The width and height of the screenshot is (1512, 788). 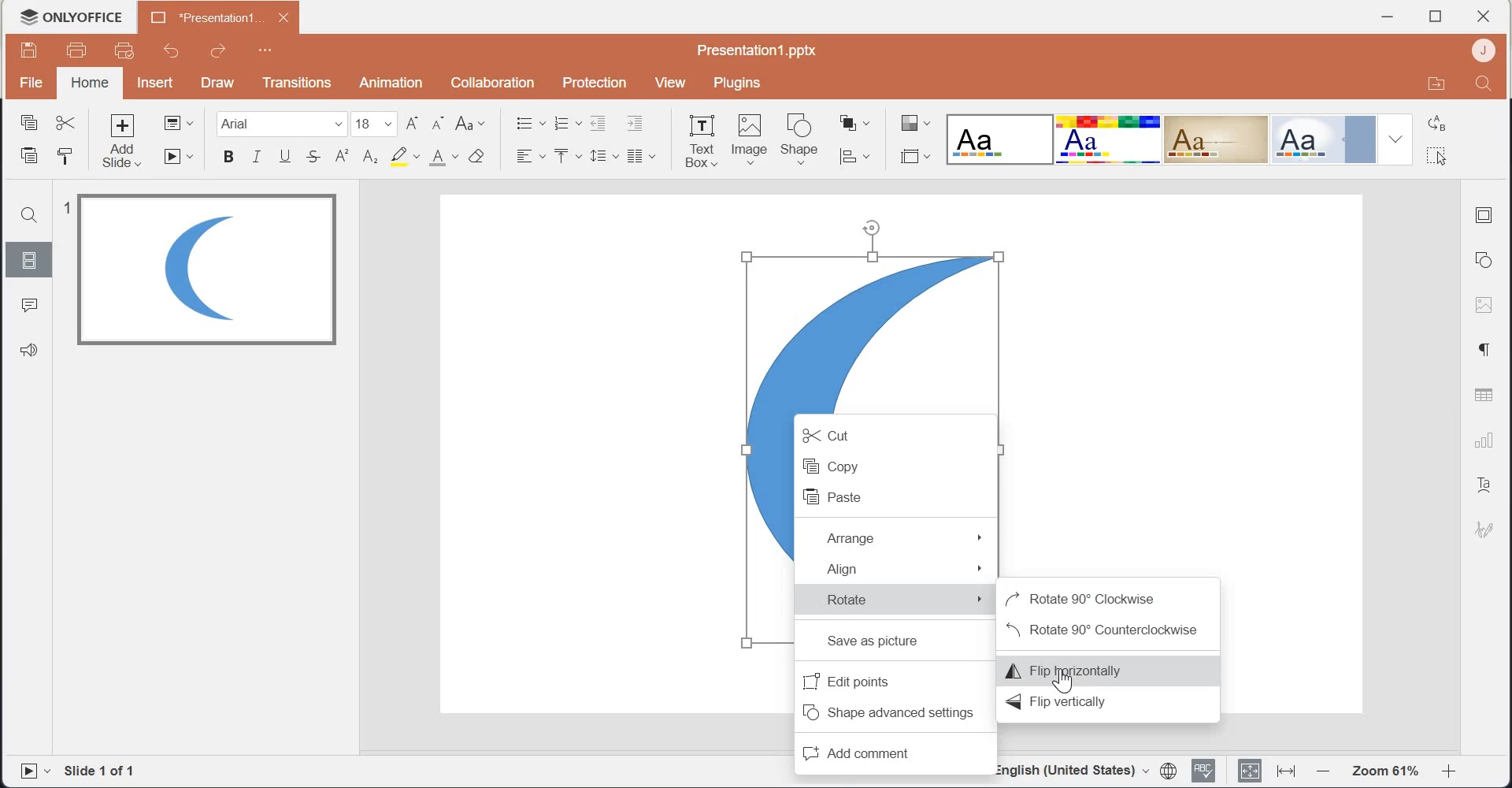 What do you see at coordinates (89, 84) in the screenshot?
I see `home` at bounding box center [89, 84].